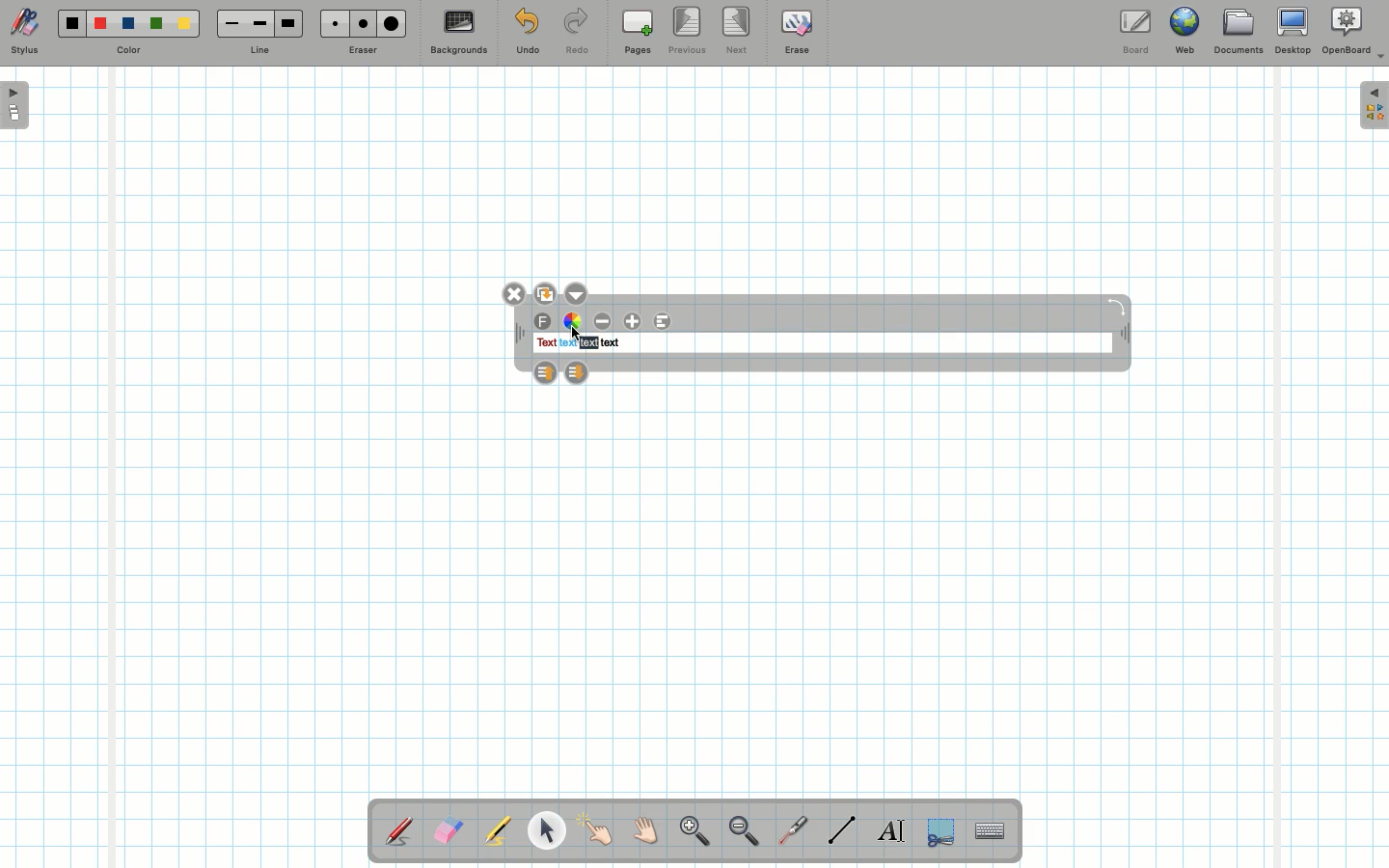 This screenshot has width=1389, height=868. What do you see at coordinates (596, 830) in the screenshot?
I see `Pointer` at bounding box center [596, 830].